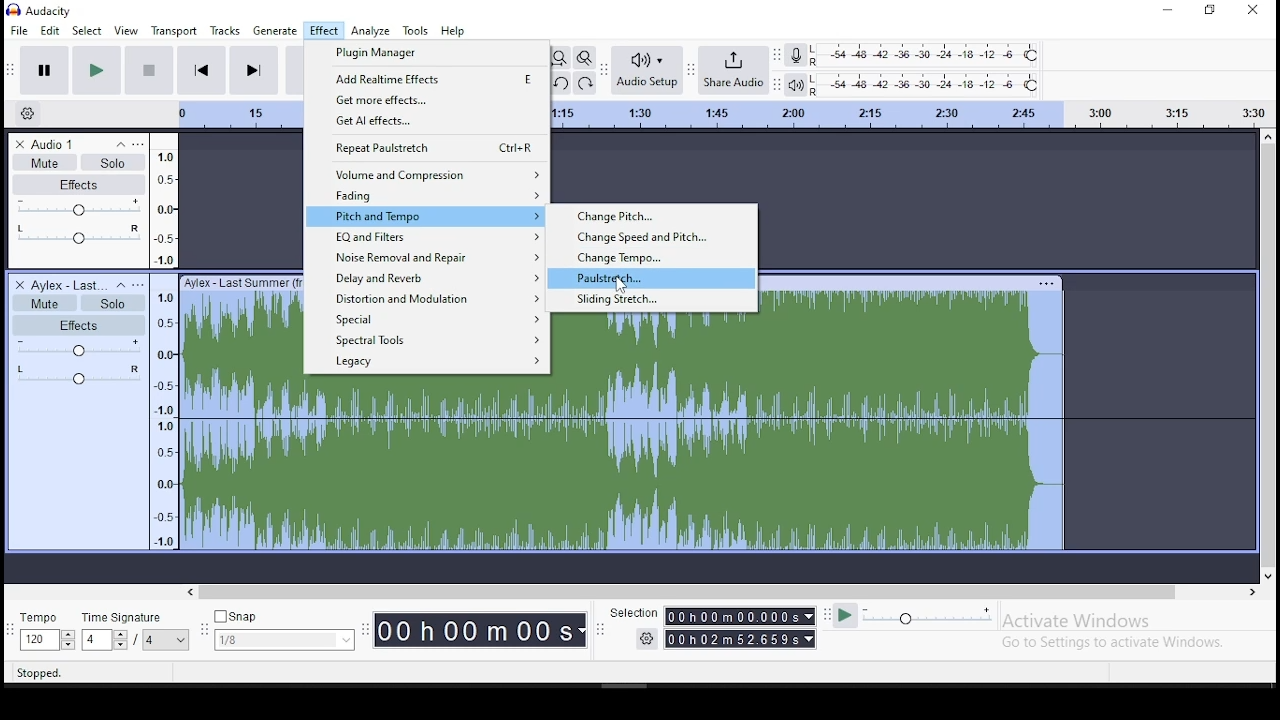 Image resolution: width=1280 pixels, height=720 pixels. I want to click on skip to end, so click(253, 71).